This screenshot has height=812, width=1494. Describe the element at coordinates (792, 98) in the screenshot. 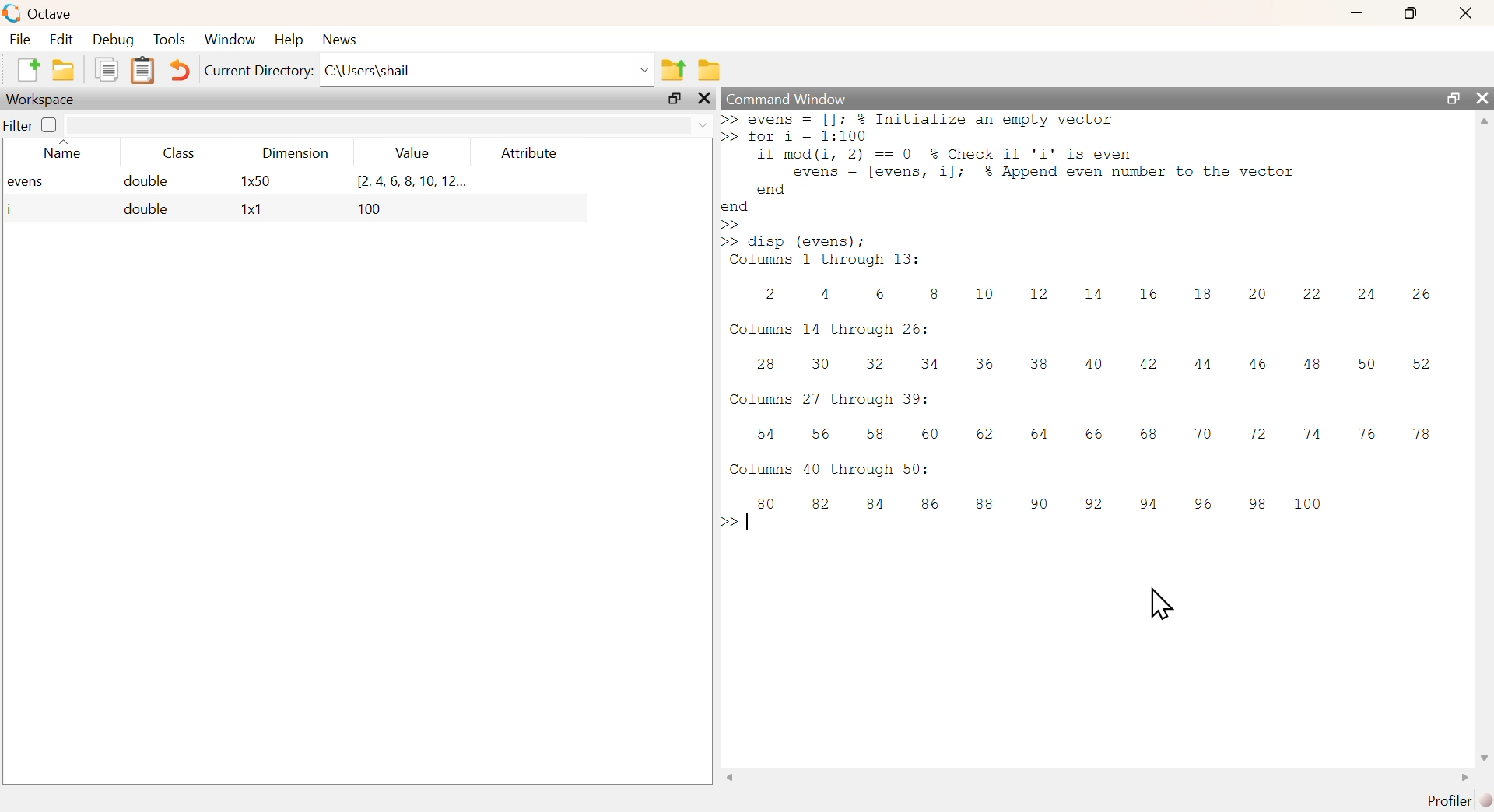

I see `command window` at that location.